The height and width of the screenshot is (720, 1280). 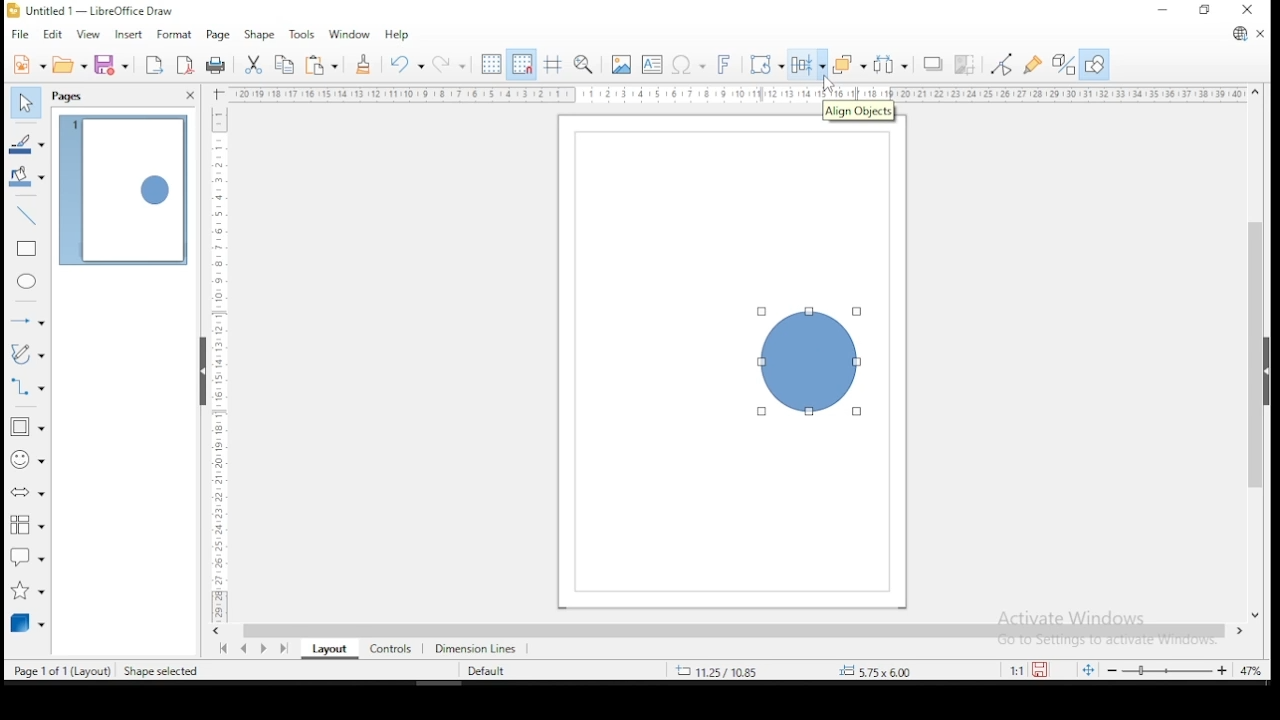 What do you see at coordinates (163, 672) in the screenshot?
I see `shape selected` at bounding box center [163, 672].